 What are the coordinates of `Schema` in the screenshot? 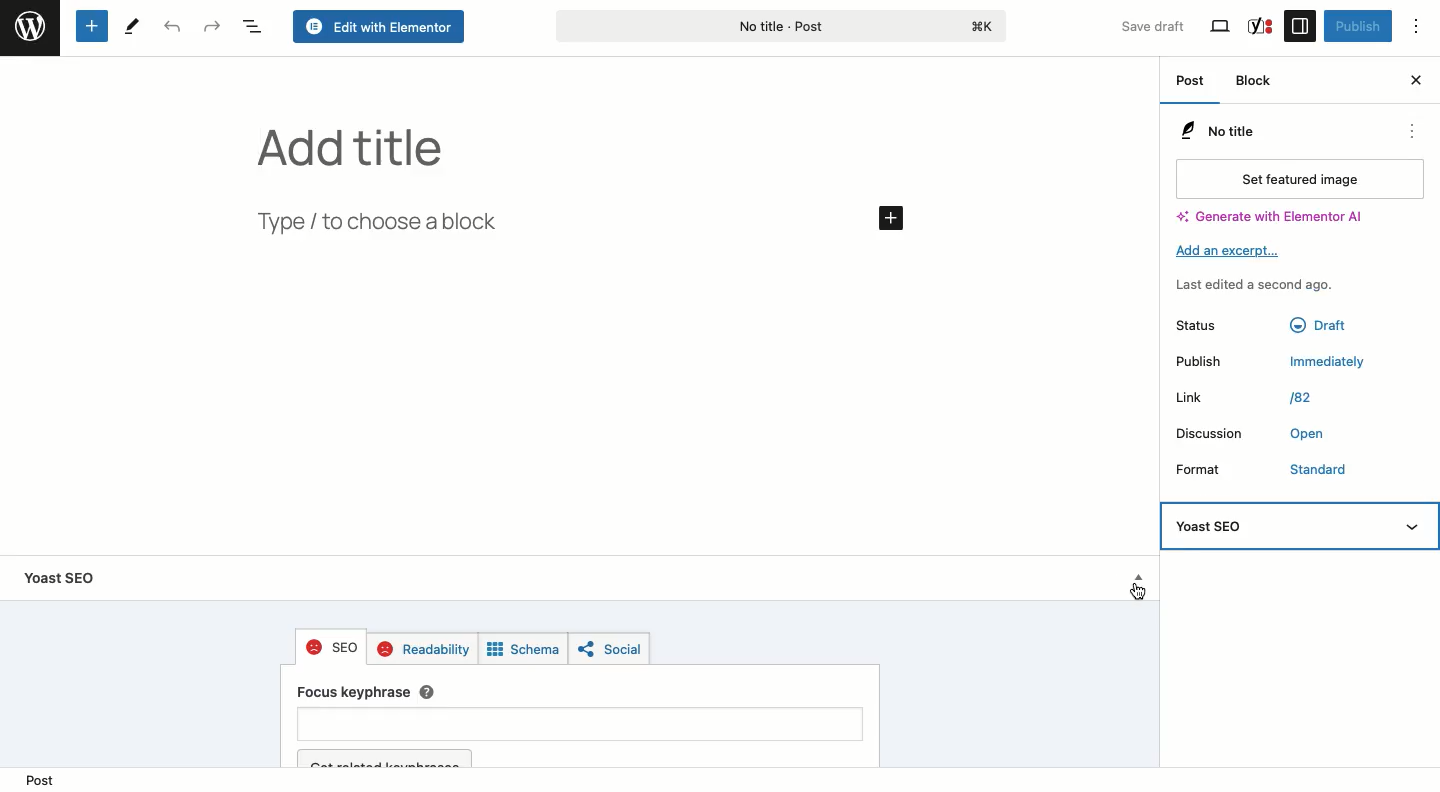 It's located at (523, 651).